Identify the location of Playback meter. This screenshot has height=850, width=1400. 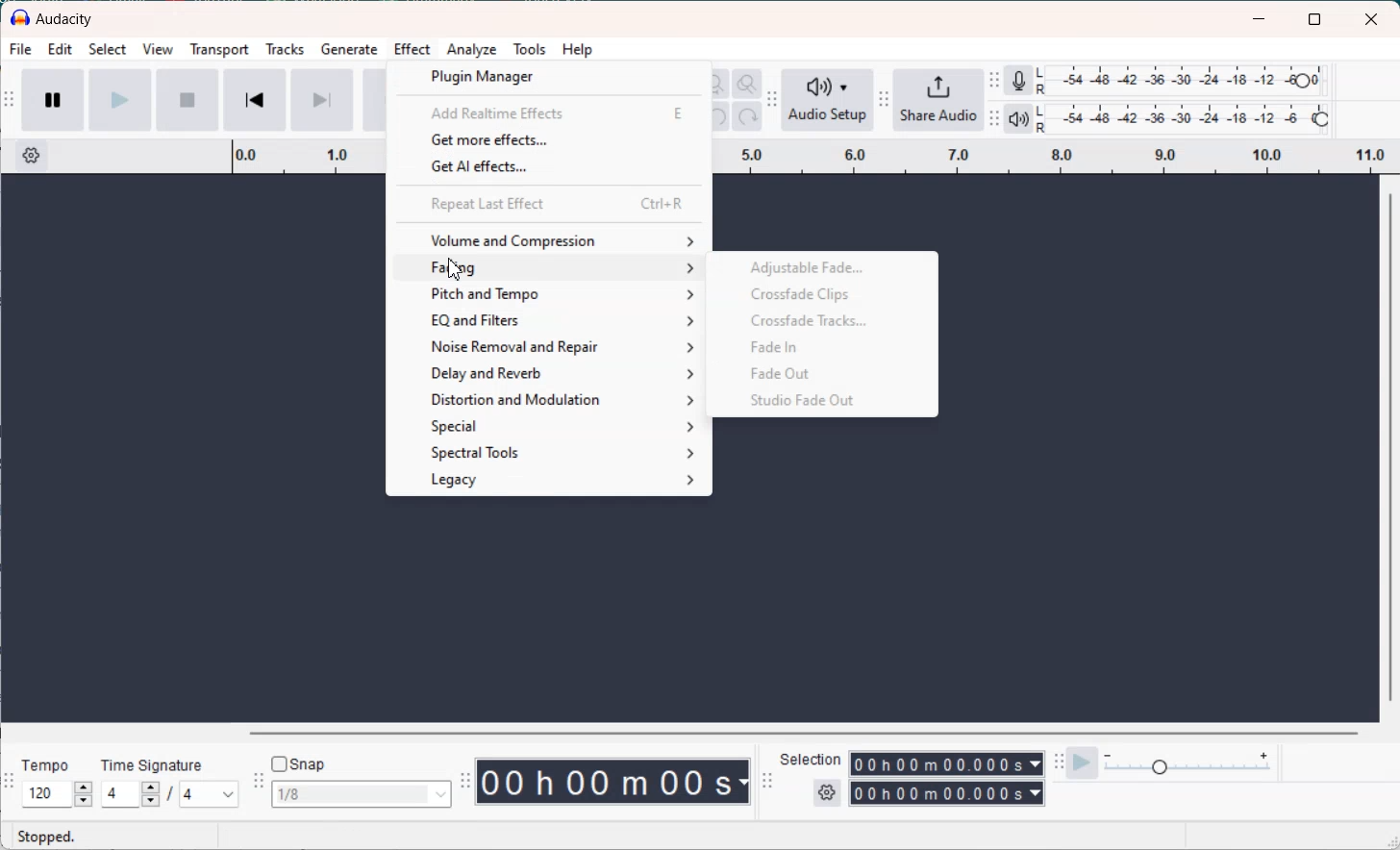
(1017, 119).